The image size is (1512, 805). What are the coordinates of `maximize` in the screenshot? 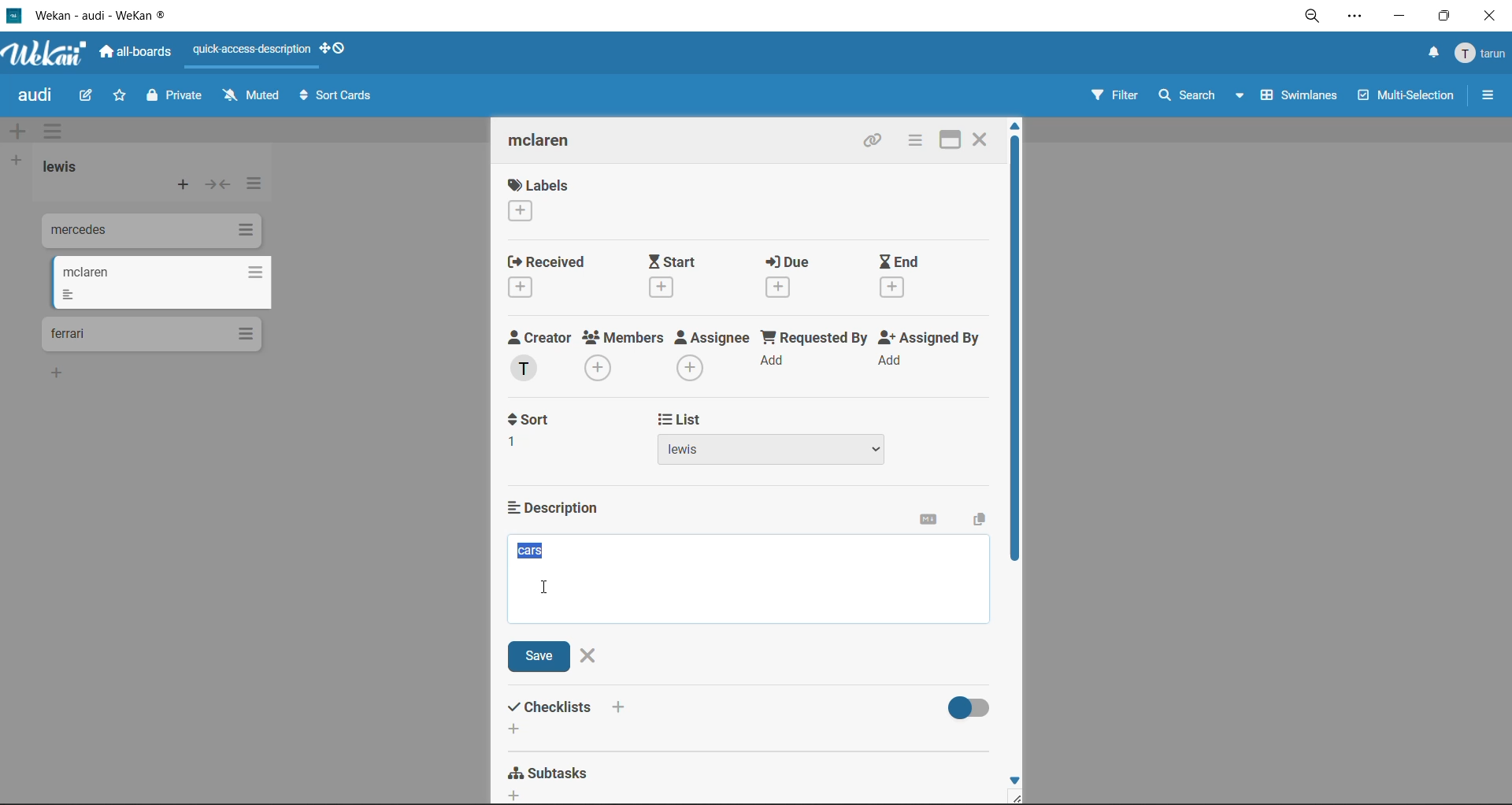 It's located at (954, 138).